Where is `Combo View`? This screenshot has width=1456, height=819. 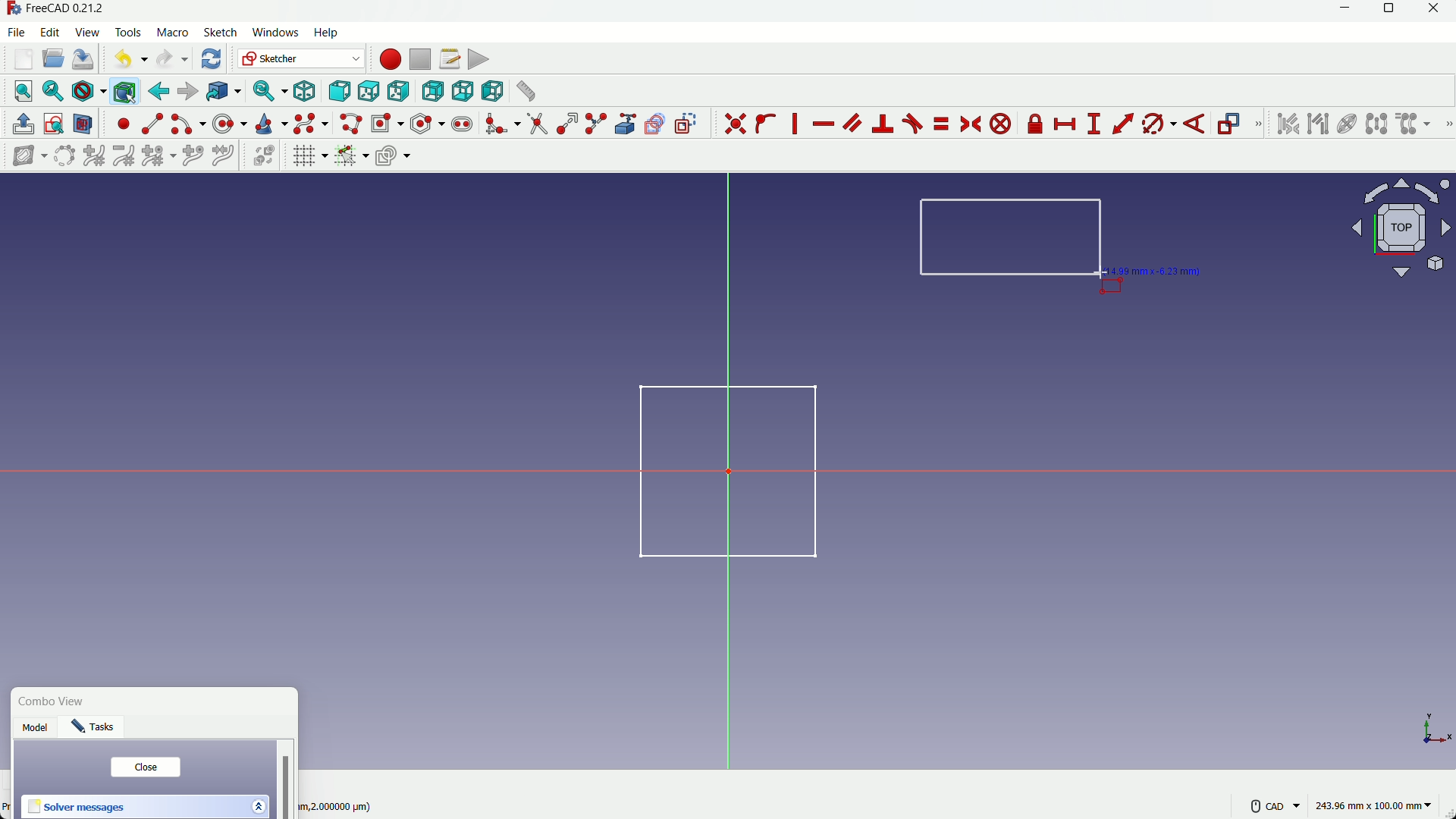
Combo View is located at coordinates (55, 702).